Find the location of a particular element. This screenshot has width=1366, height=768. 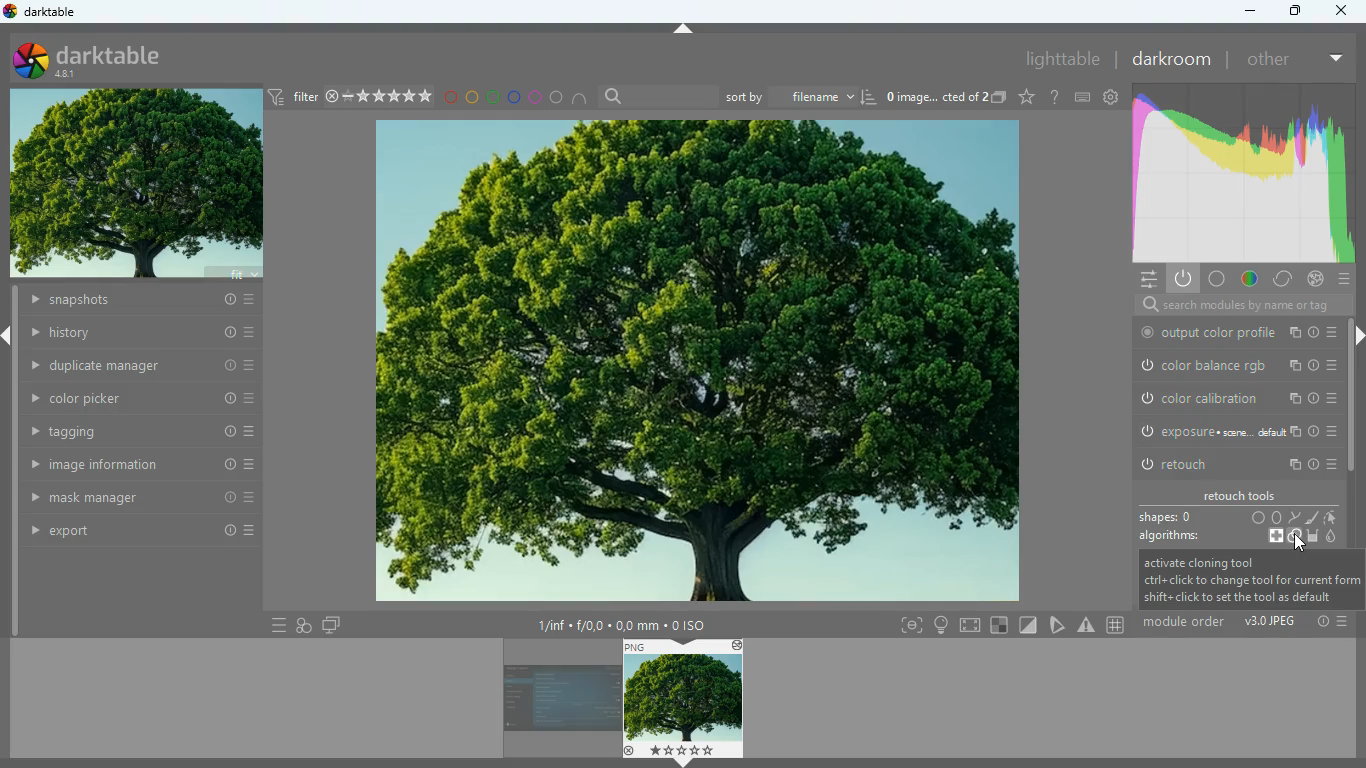

tagging is located at coordinates (143, 433).